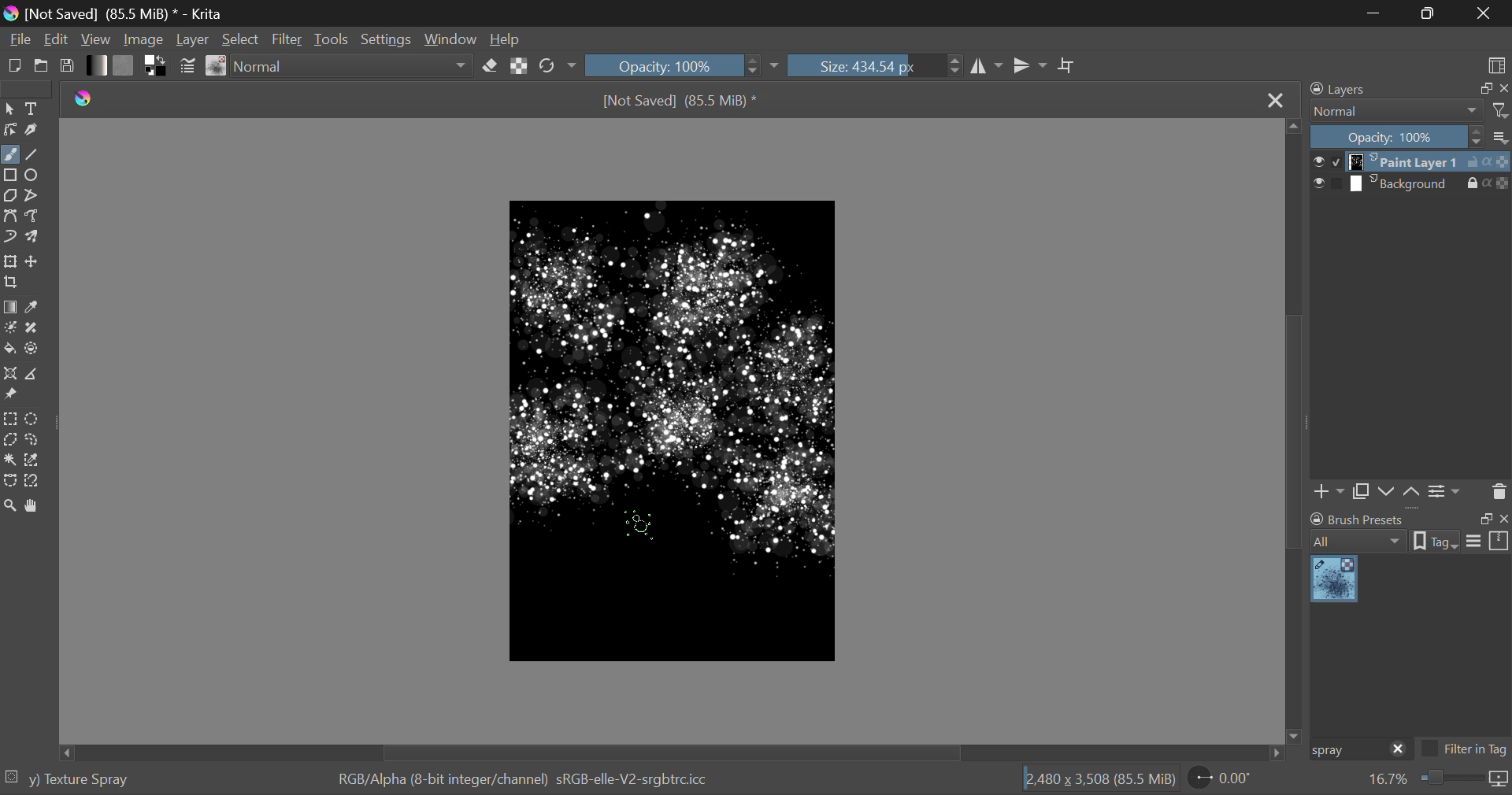  What do you see at coordinates (10, 176) in the screenshot?
I see `Rectanle` at bounding box center [10, 176].